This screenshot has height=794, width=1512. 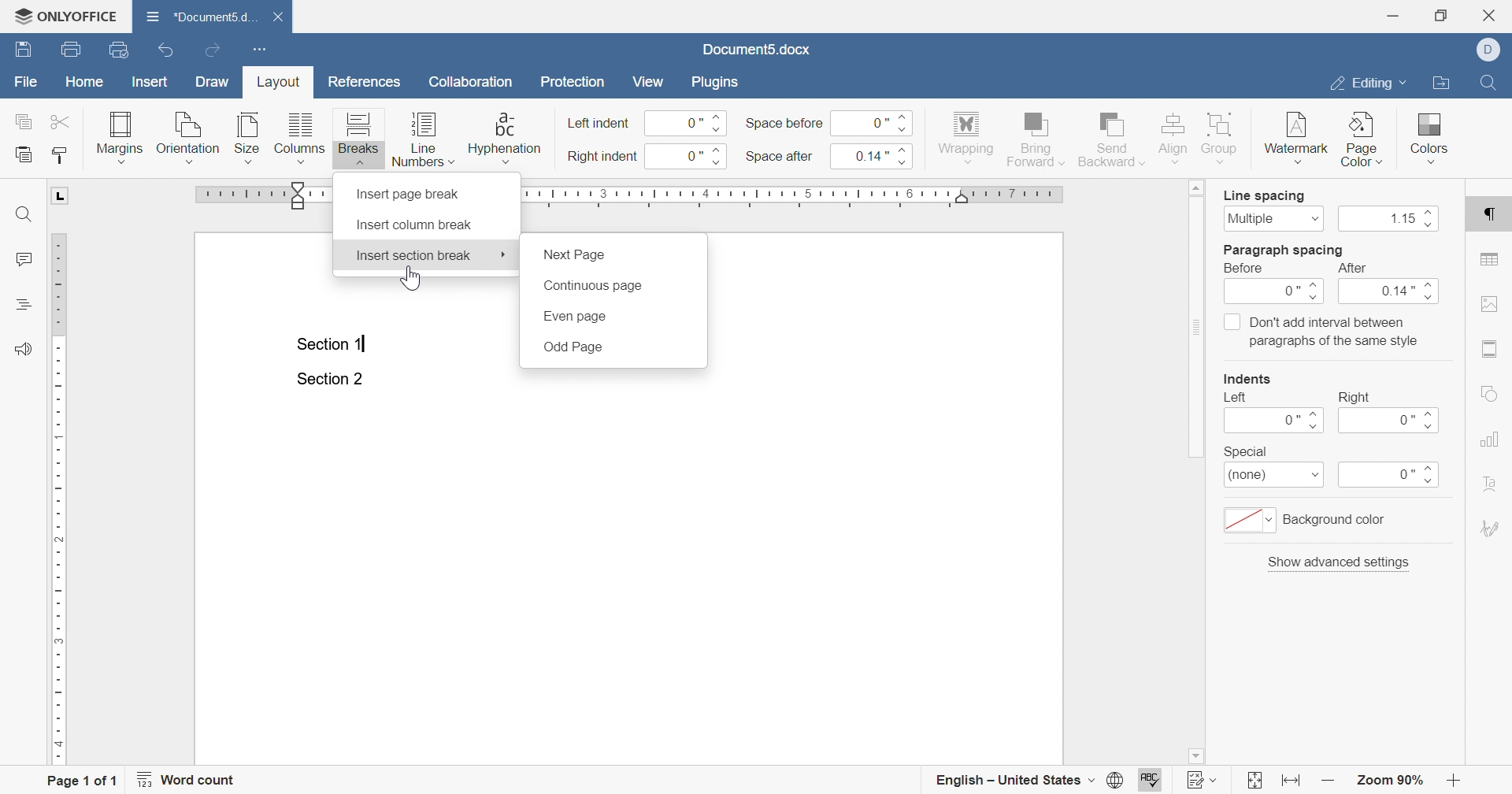 What do you see at coordinates (1489, 529) in the screenshot?
I see `signature settings` at bounding box center [1489, 529].